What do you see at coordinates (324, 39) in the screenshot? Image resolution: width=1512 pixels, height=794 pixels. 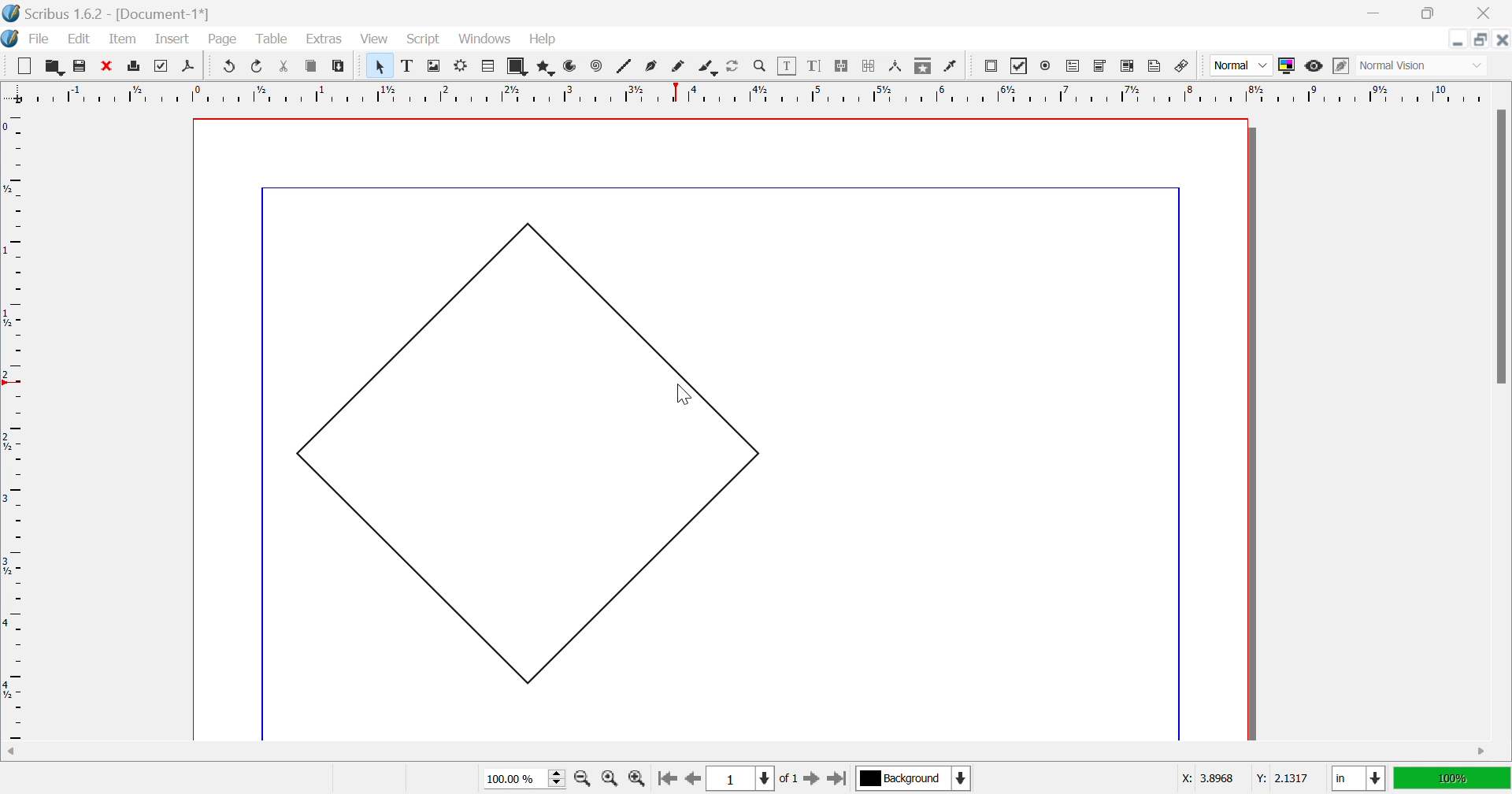 I see `Extras` at bounding box center [324, 39].